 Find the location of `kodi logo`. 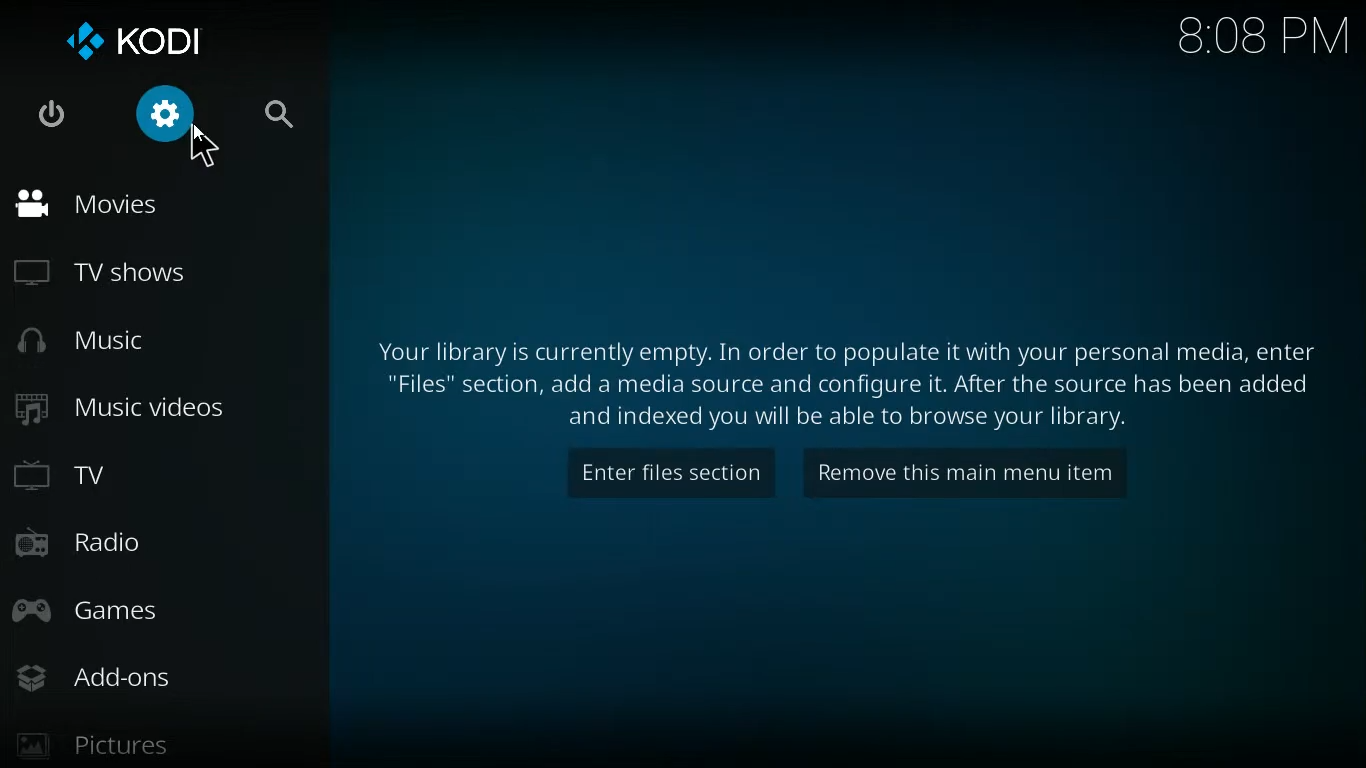

kodi logo is located at coordinates (144, 36).